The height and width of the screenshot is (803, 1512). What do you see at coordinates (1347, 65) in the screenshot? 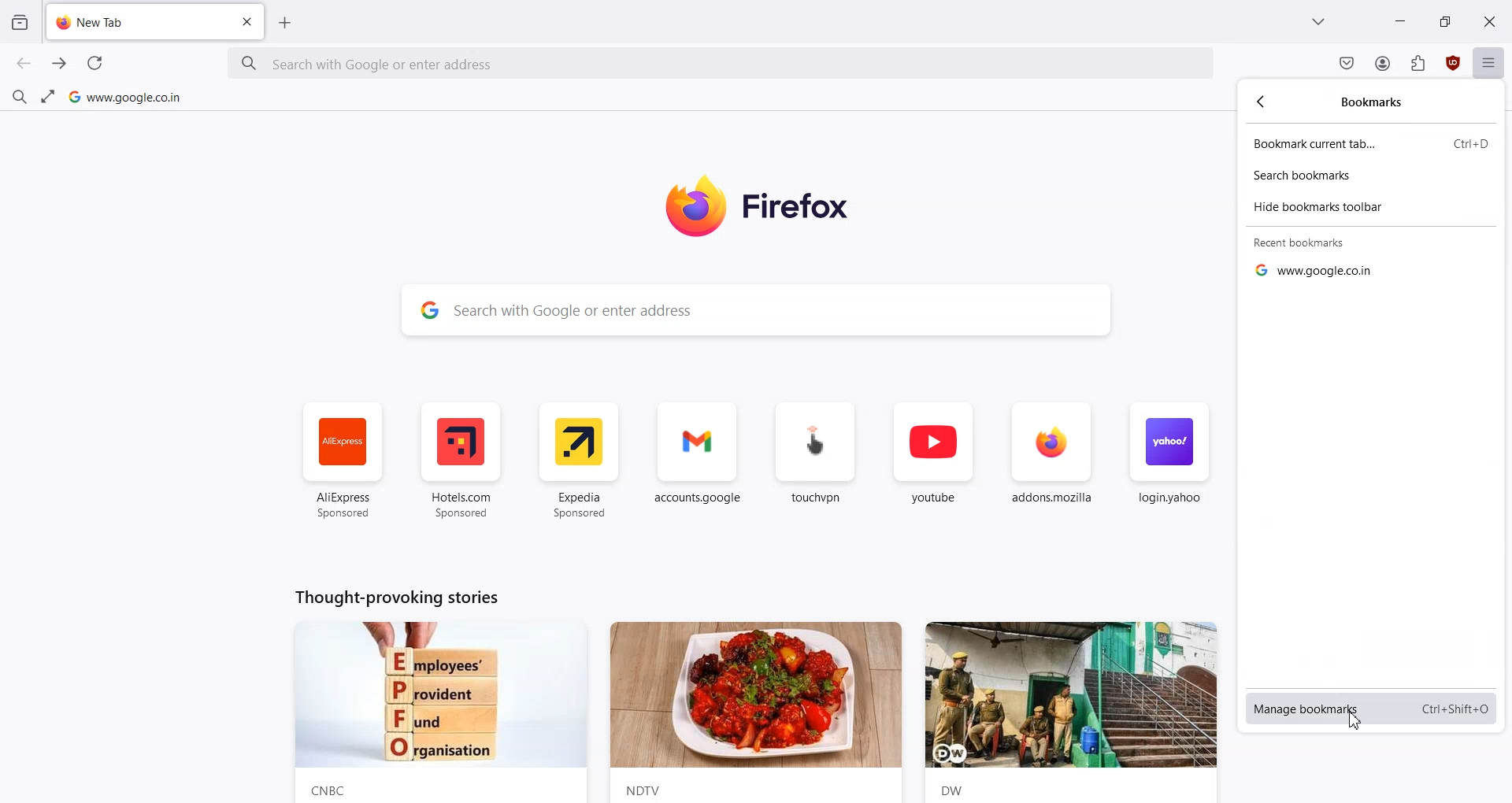
I see `Save to pocket` at bounding box center [1347, 65].